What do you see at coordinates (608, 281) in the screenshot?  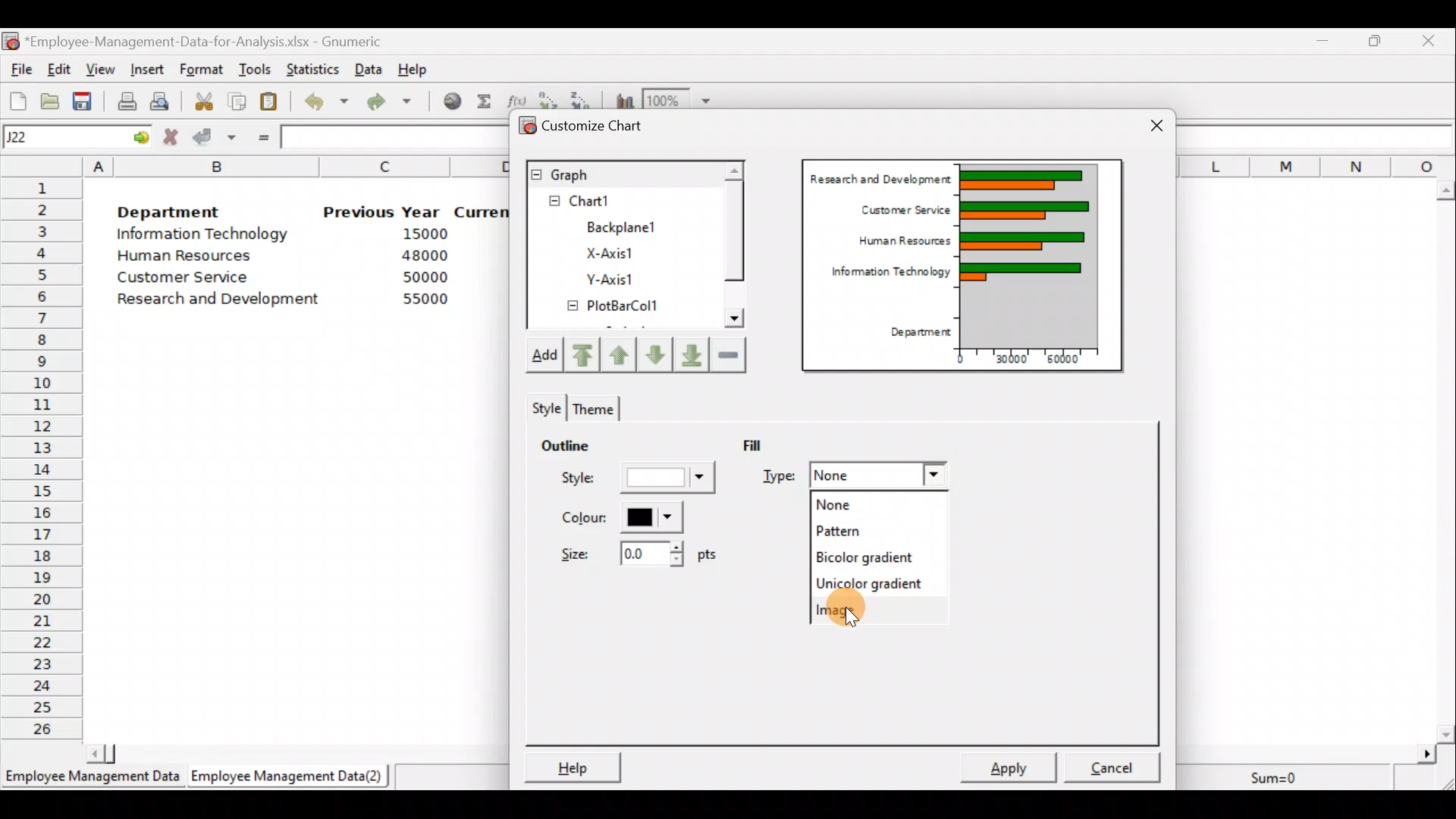 I see `Y-axis1` at bounding box center [608, 281].